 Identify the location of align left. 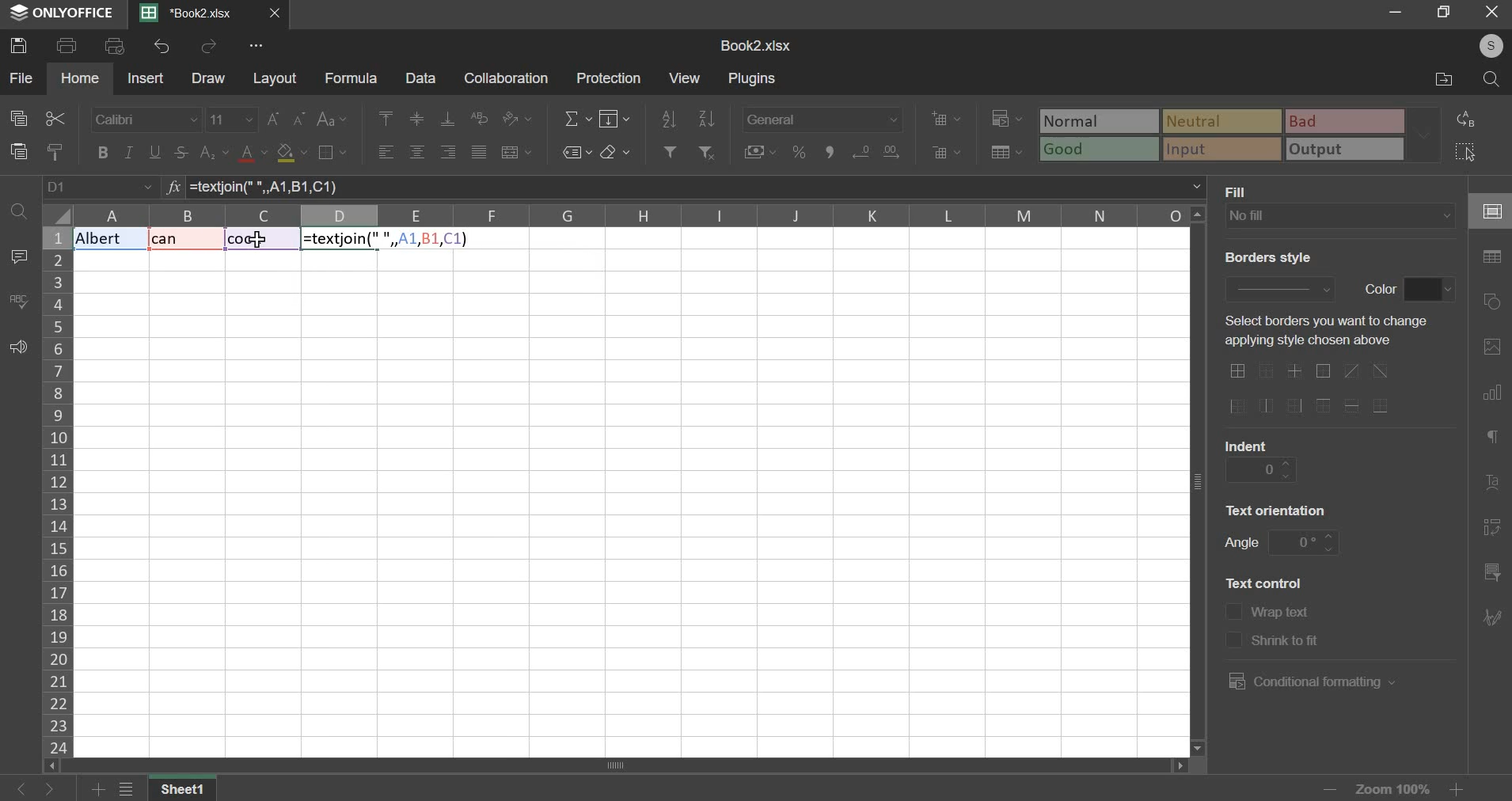
(386, 154).